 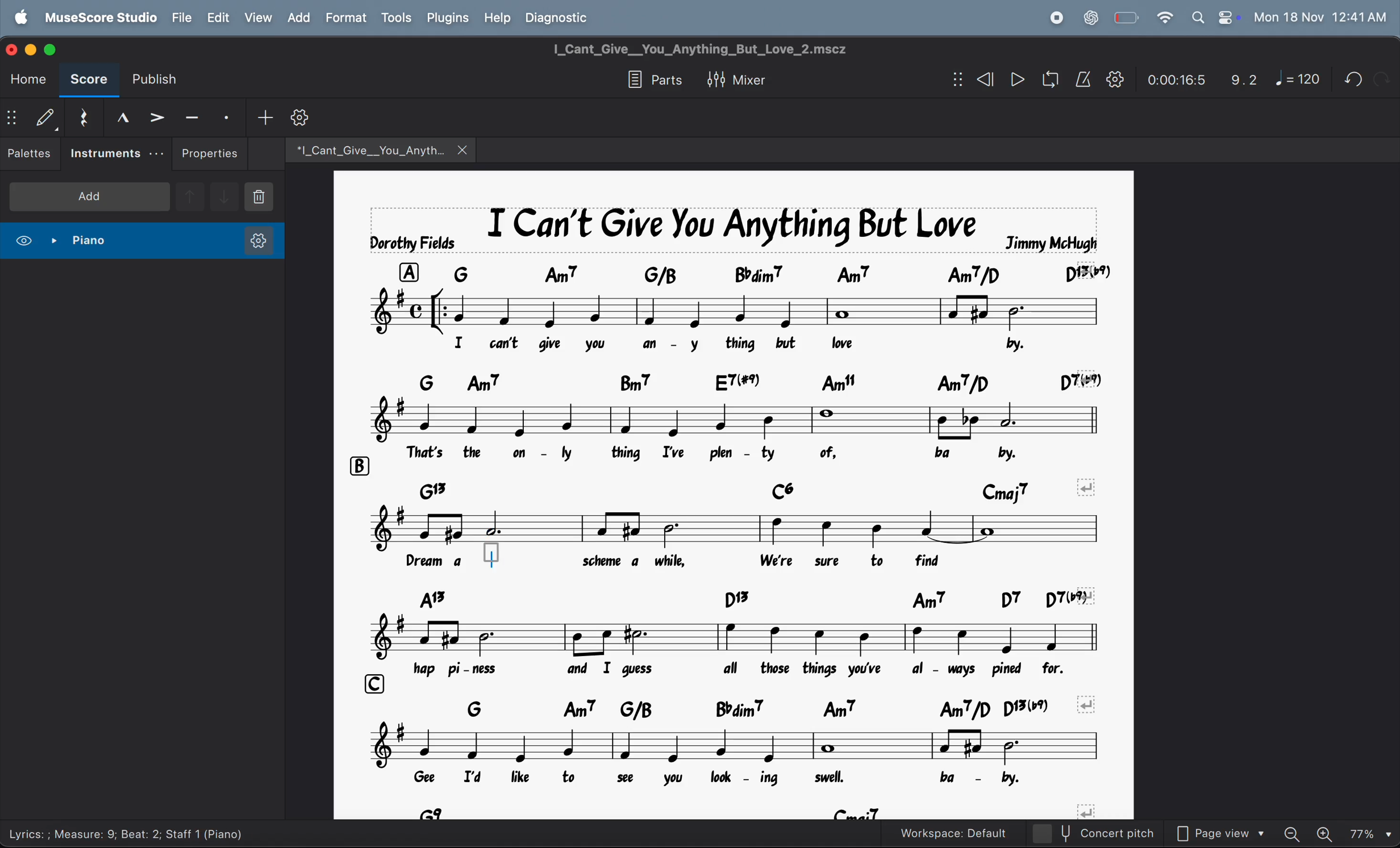 I want to click on concert pitch, so click(x=1097, y=835).